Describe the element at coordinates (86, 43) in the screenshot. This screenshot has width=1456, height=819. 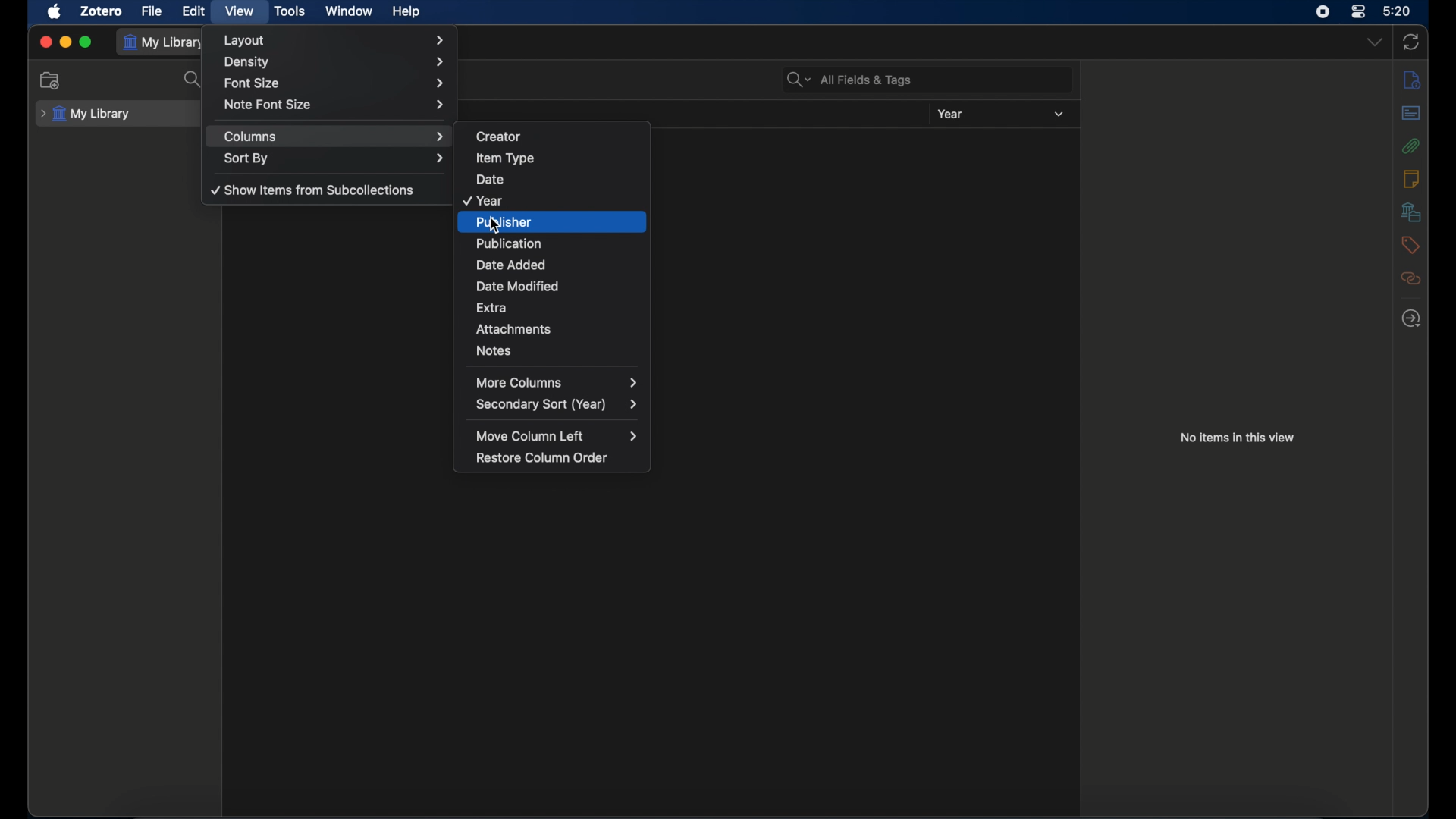
I see `maximize` at that location.